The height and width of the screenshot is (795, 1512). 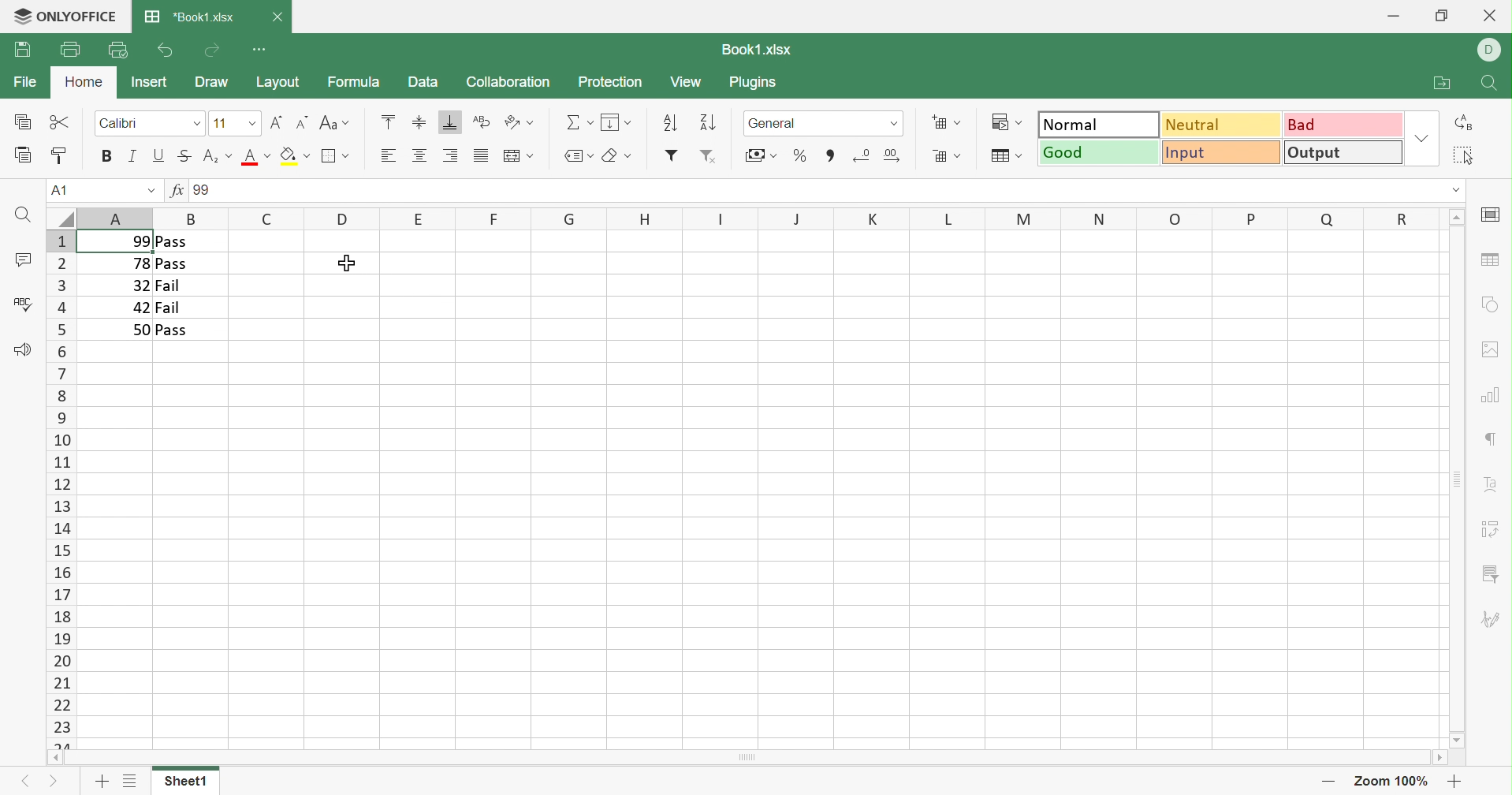 I want to click on Normal, so click(x=1098, y=123).